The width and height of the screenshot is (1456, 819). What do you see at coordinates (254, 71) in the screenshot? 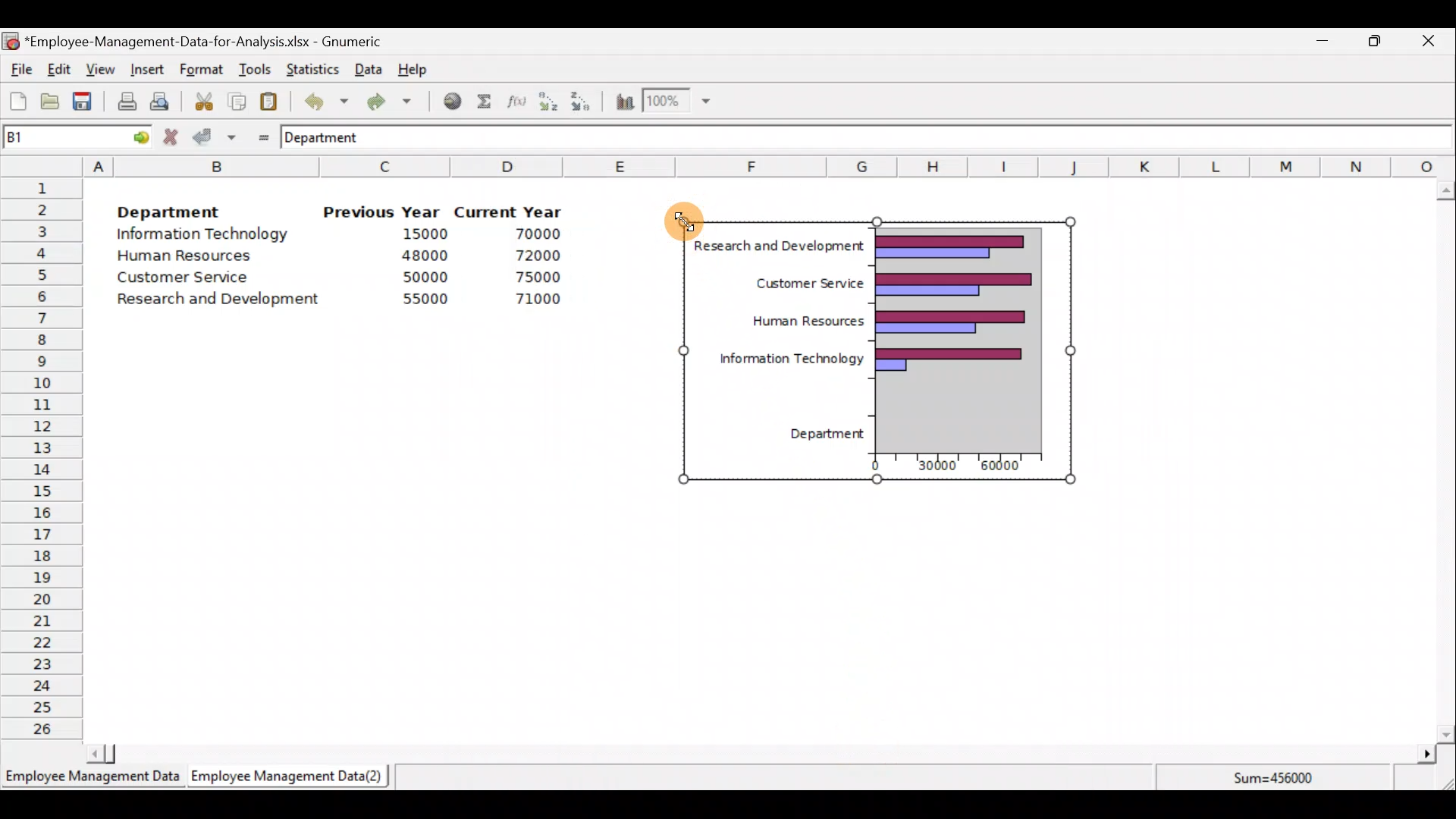
I see `Tools` at bounding box center [254, 71].